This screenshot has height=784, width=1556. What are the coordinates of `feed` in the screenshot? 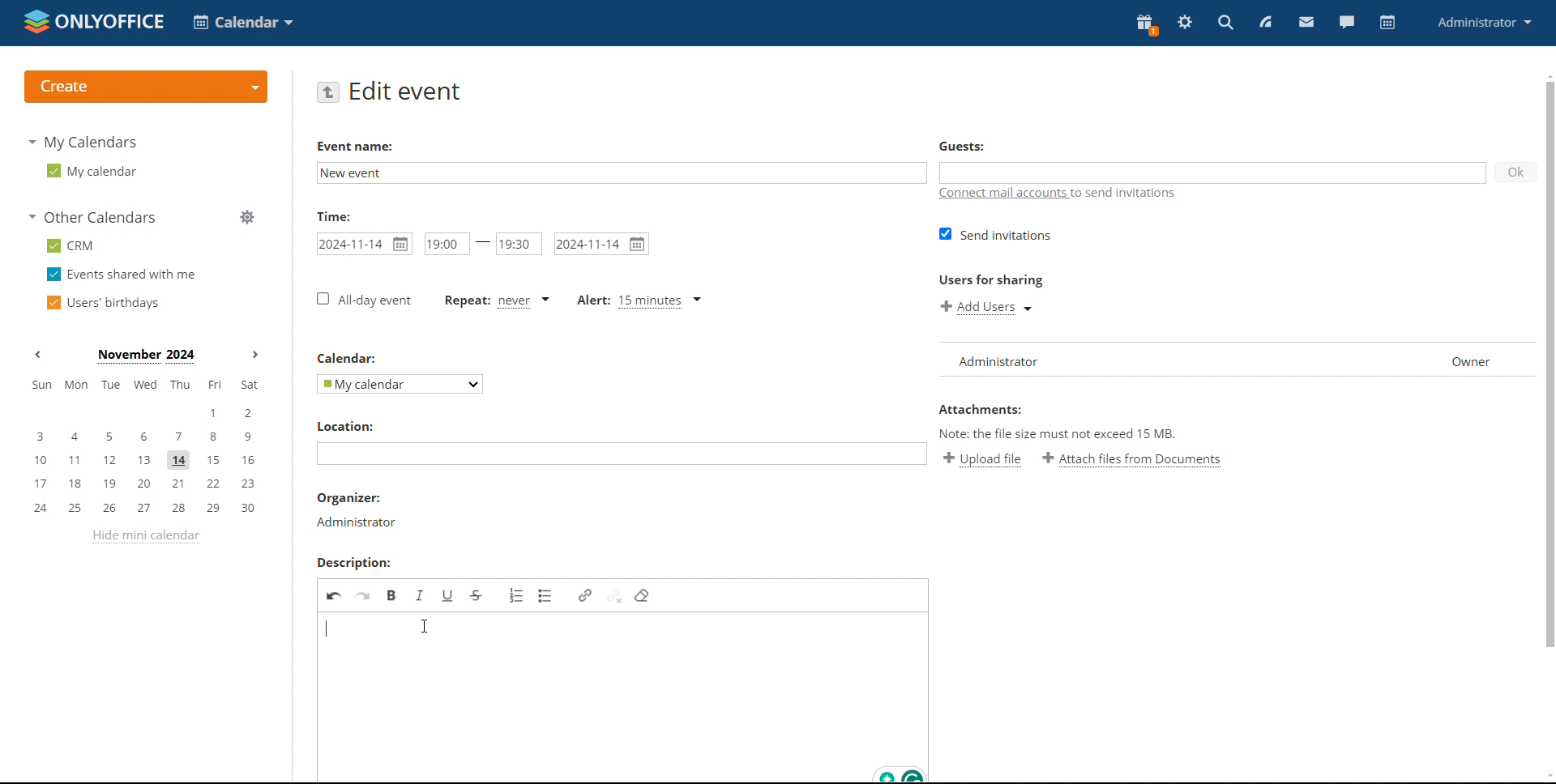 It's located at (1266, 23).